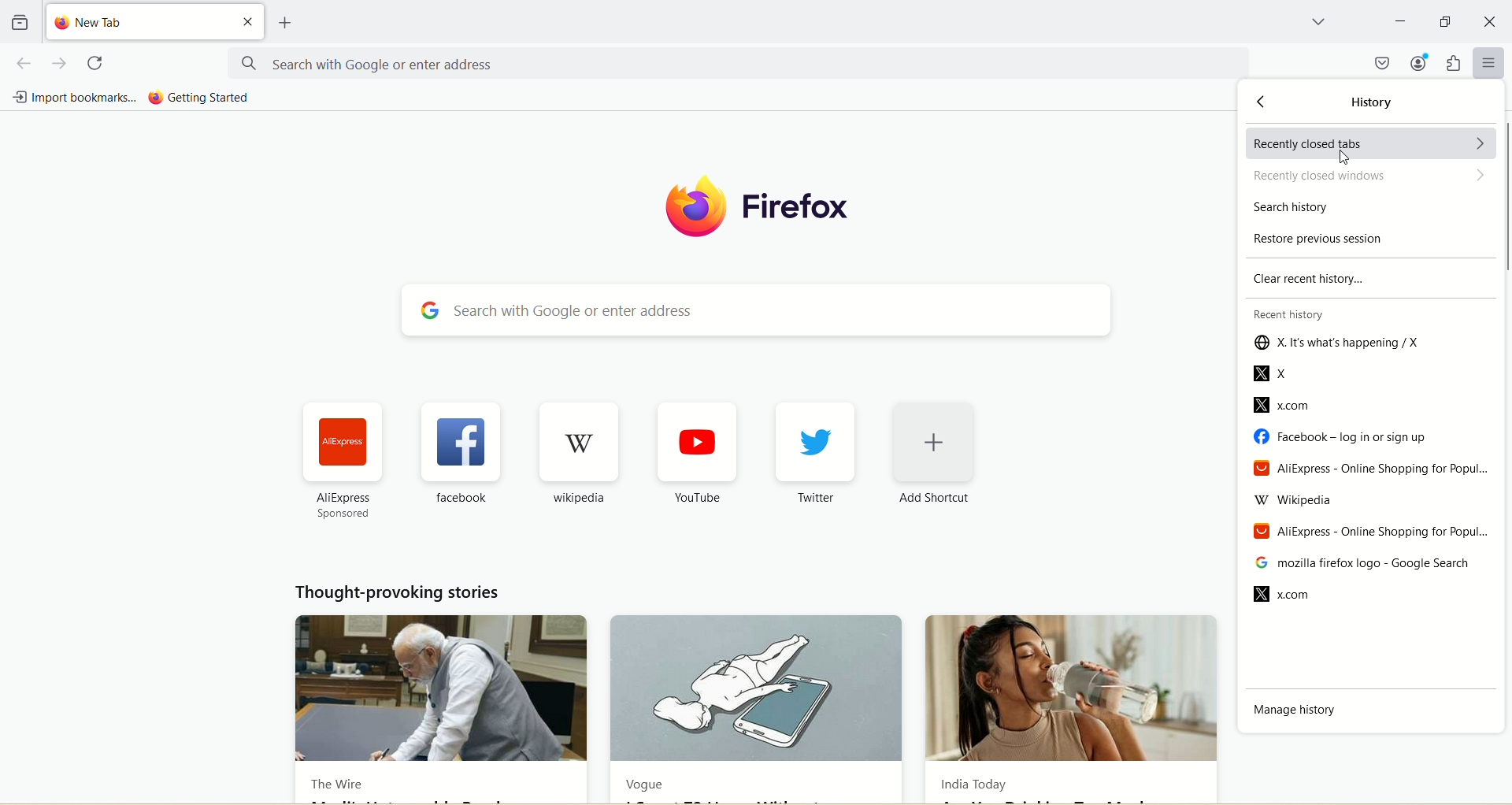  What do you see at coordinates (346, 505) in the screenshot?
I see `AliExpress sponsored` at bounding box center [346, 505].